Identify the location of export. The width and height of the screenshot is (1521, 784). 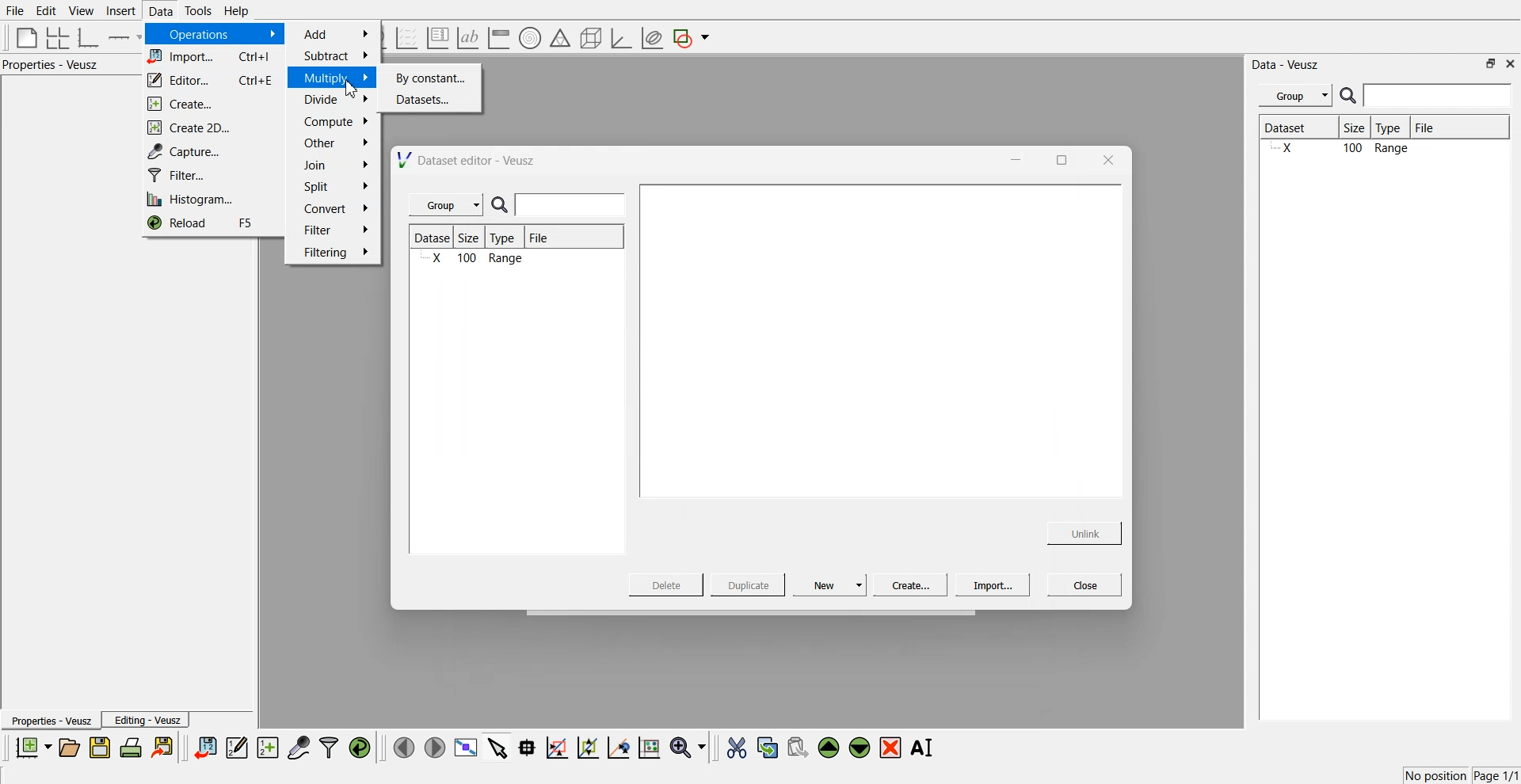
(164, 747).